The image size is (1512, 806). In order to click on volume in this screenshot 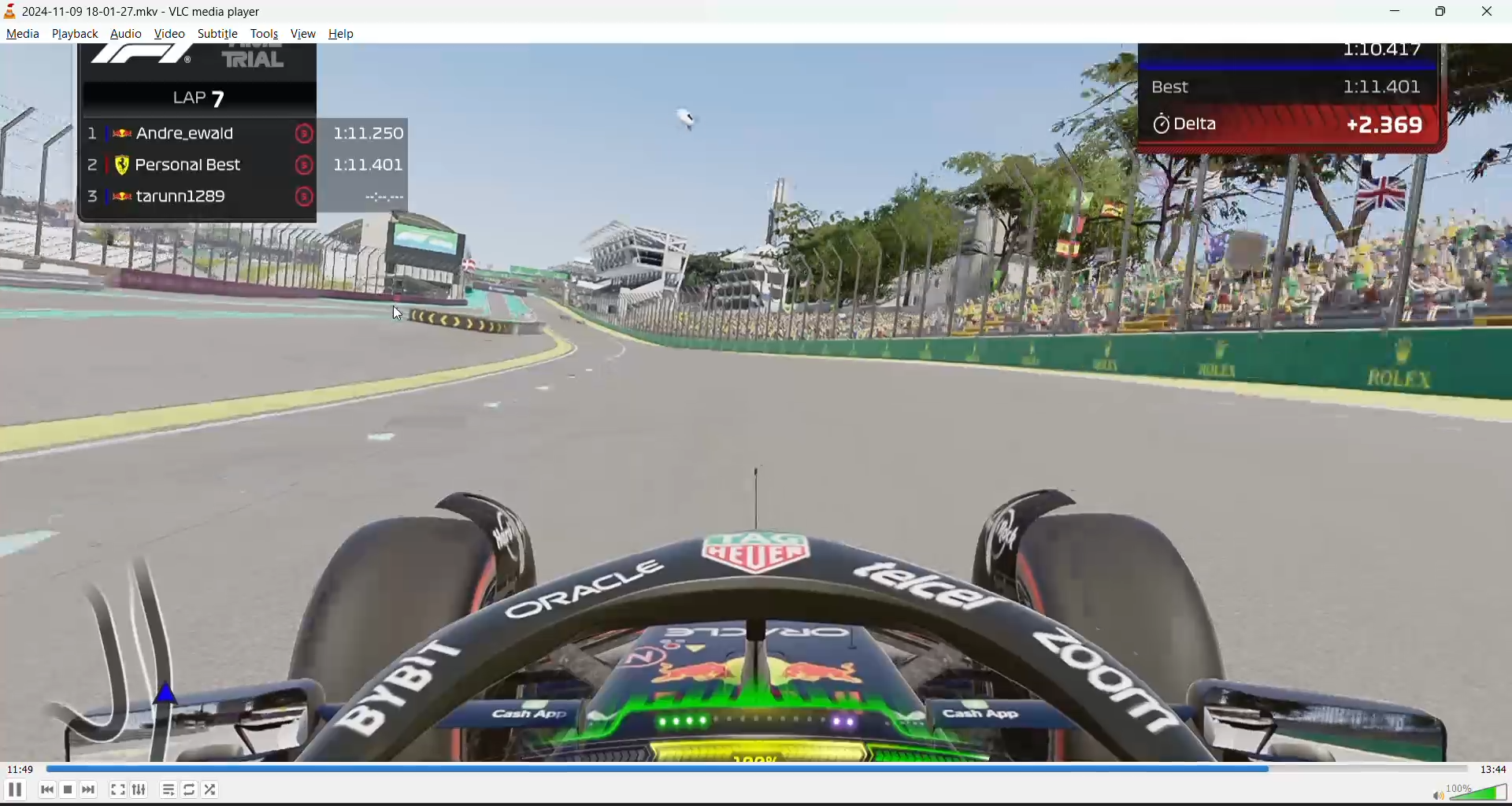, I will do `click(1461, 793)`.